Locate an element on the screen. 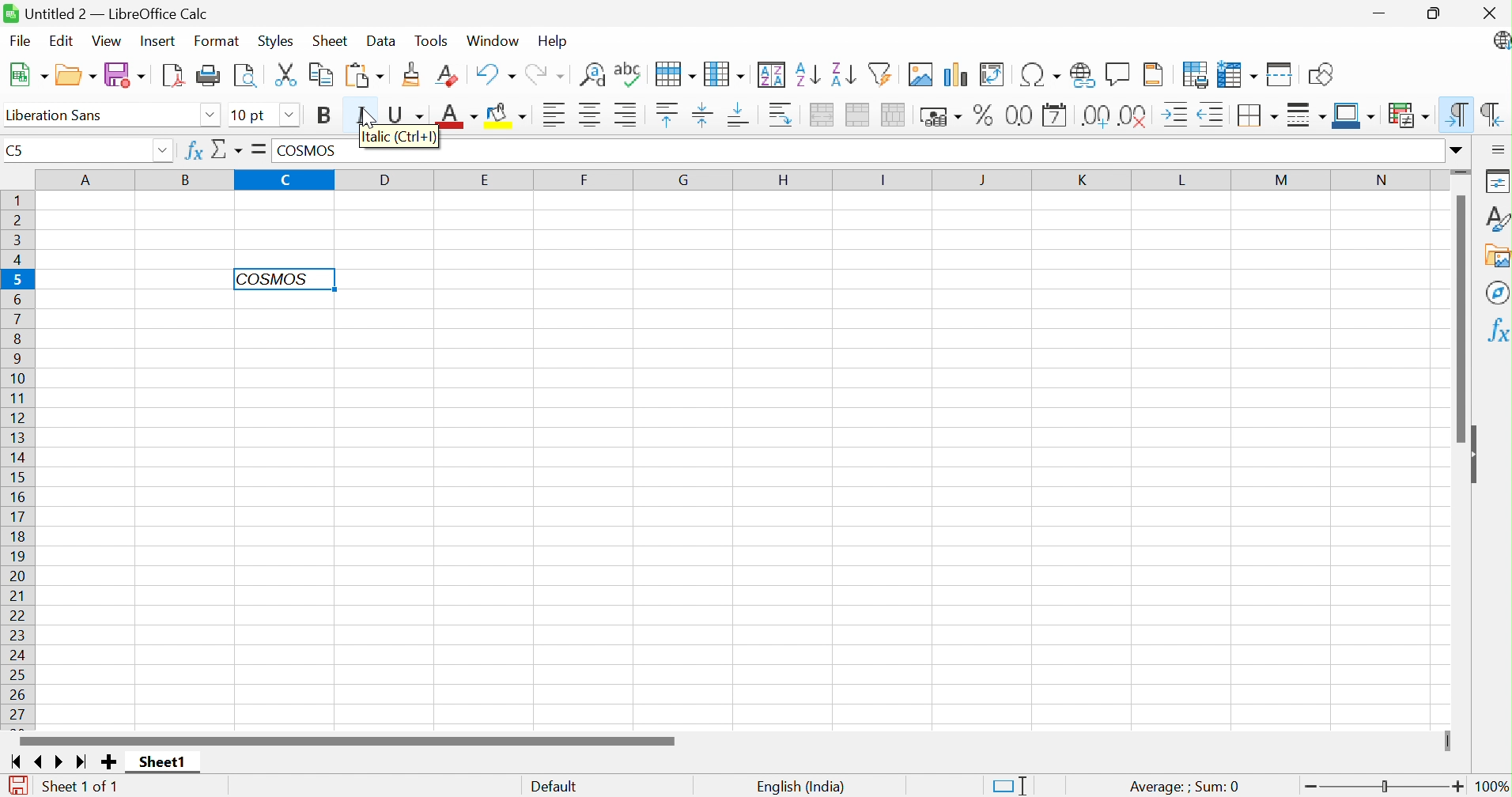 Image resolution: width=1512 pixels, height=797 pixels. Scroll bar is located at coordinates (1461, 318).